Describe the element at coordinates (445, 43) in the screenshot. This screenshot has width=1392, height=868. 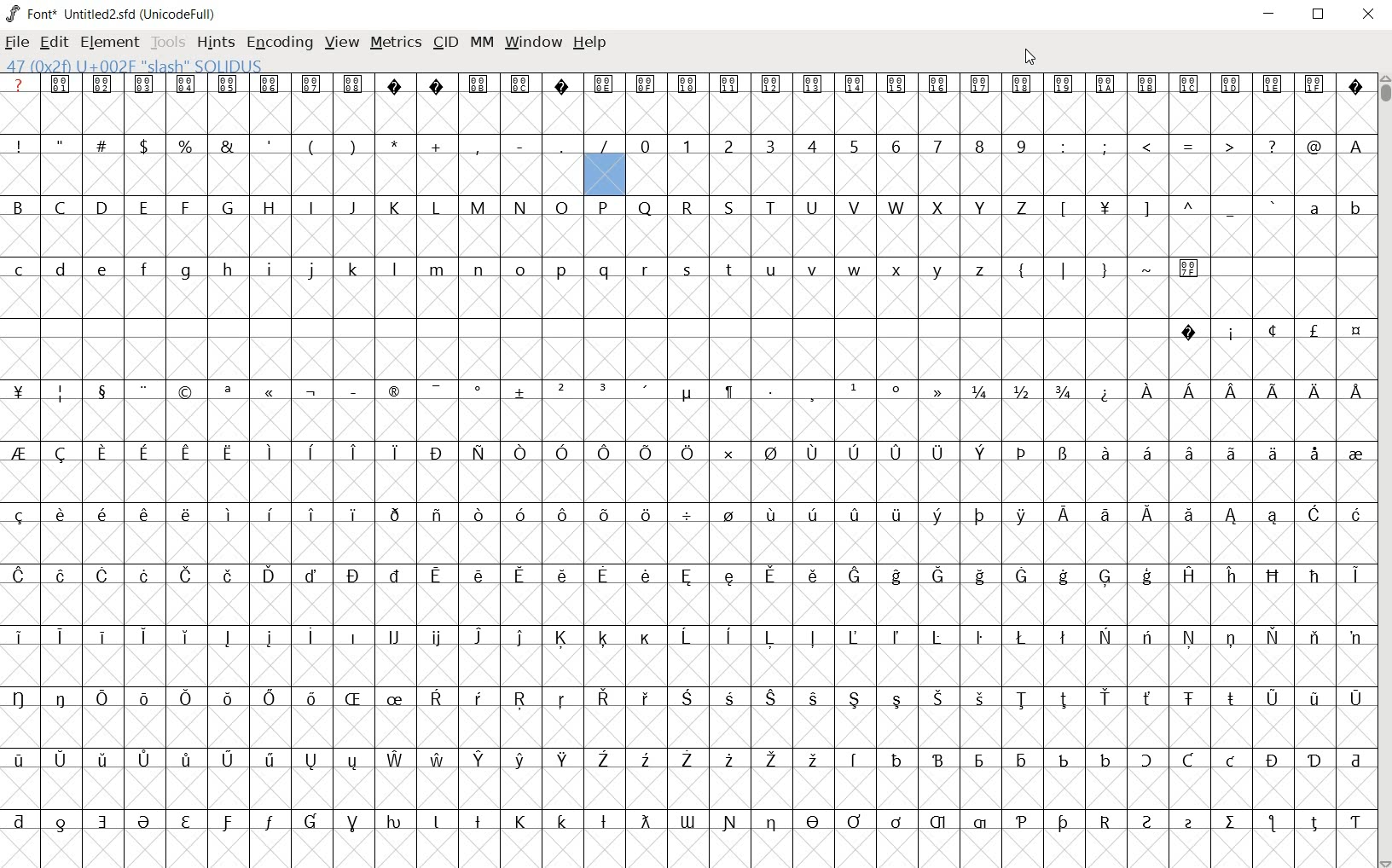
I see `CID` at that location.